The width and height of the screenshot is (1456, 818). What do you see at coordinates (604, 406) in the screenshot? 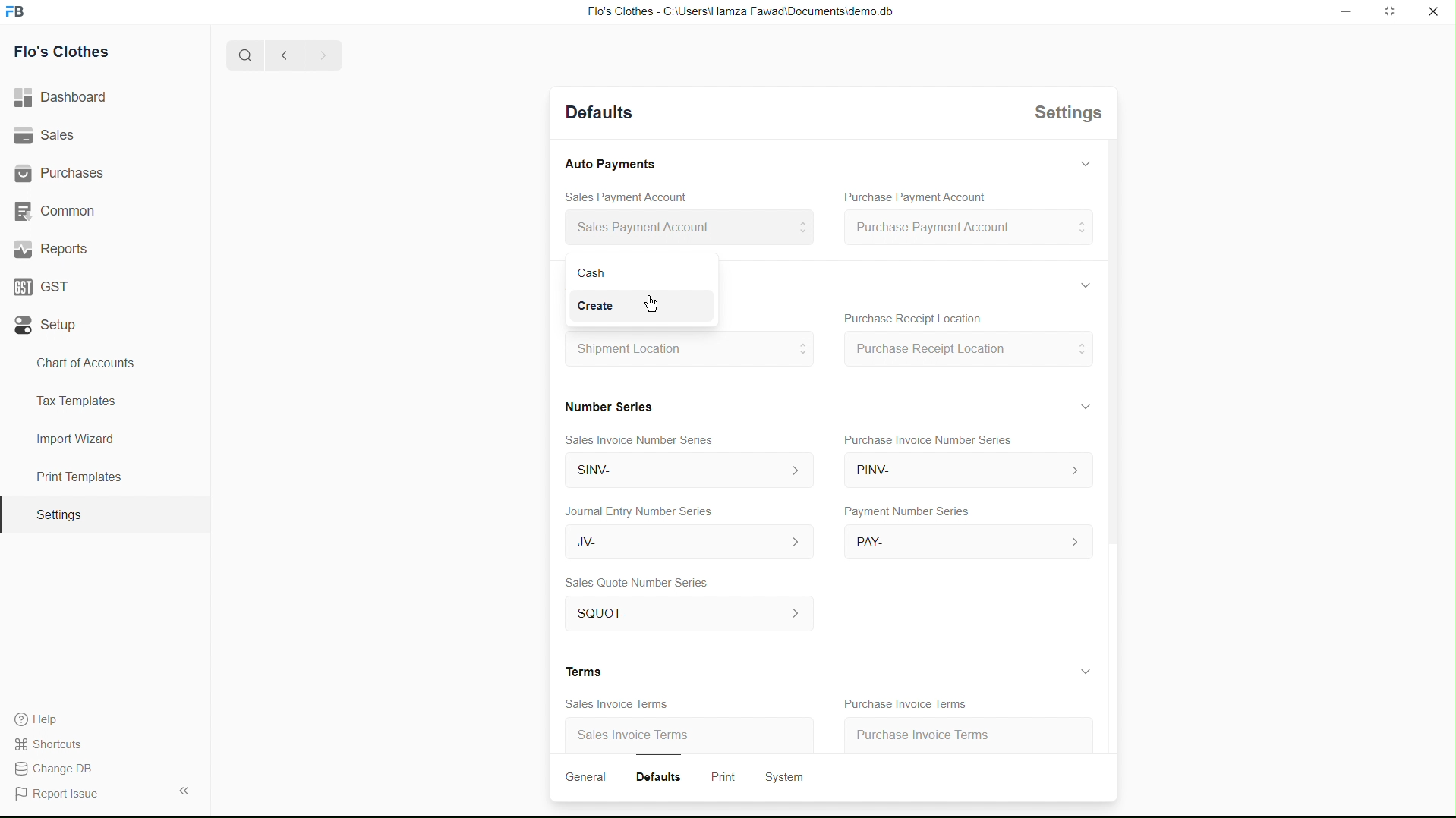
I see `Number Series` at bounding box center [604, 406].